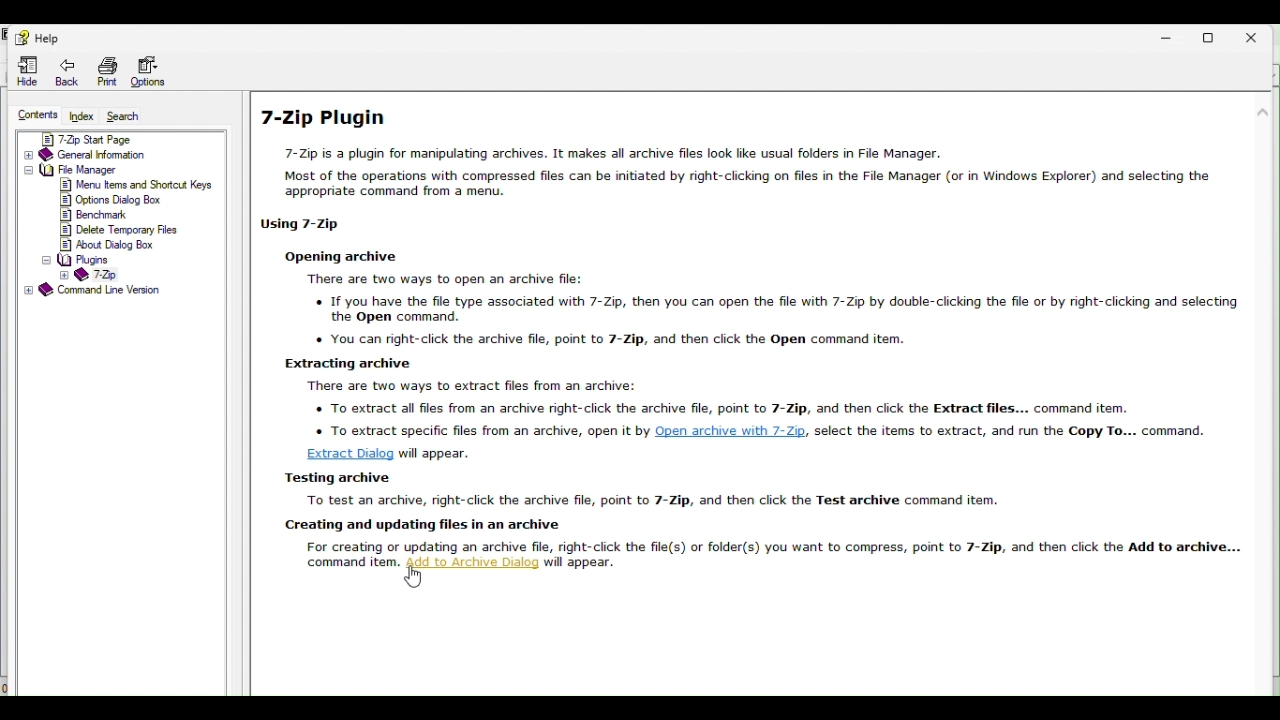 The image size is (1280, 720). I want to click on ,, select the items to extract, and run the Copy To... command., so click(1012, 429).